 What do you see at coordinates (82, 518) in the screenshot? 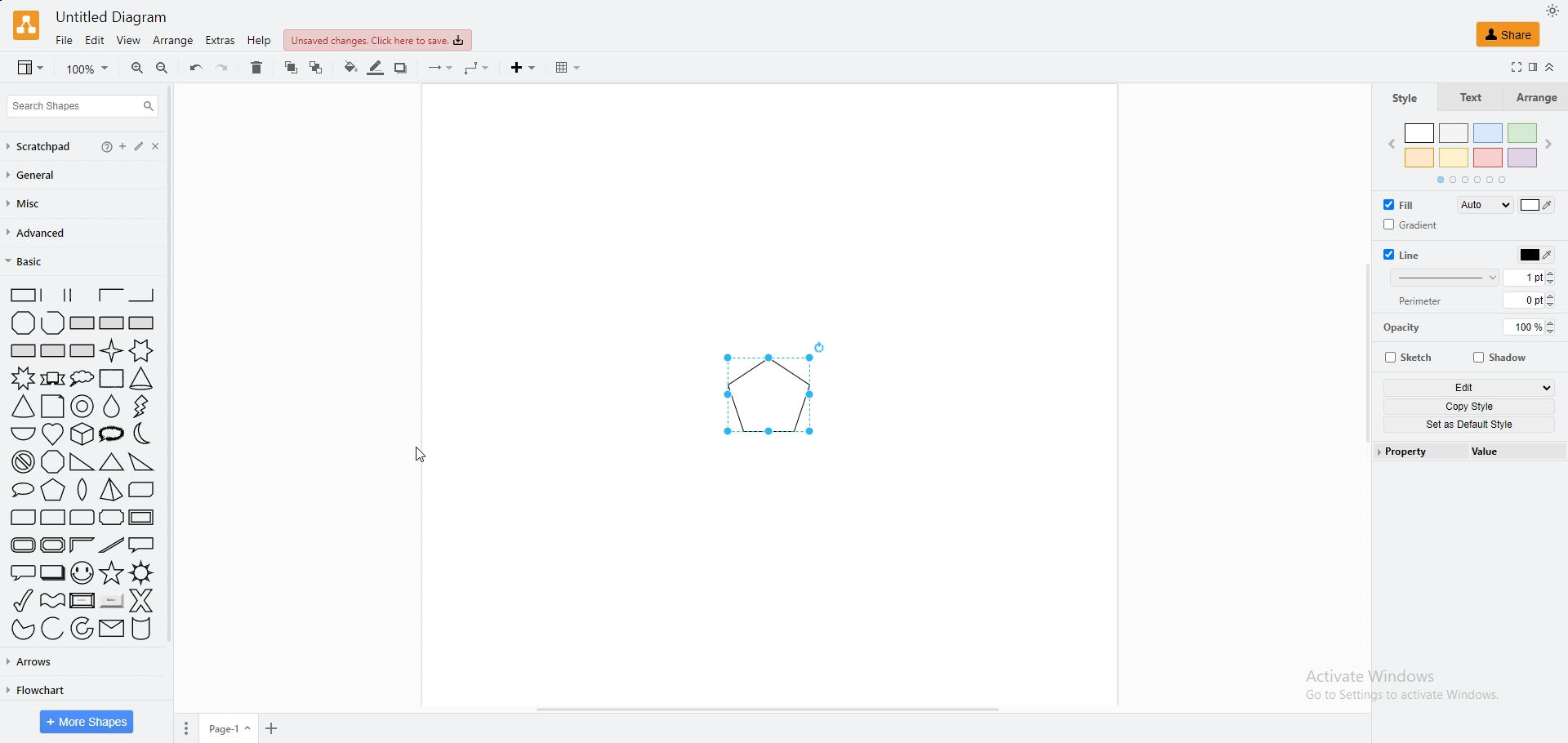
I see `rounded rectangle (three colors)` at bounding box center [82, 518].